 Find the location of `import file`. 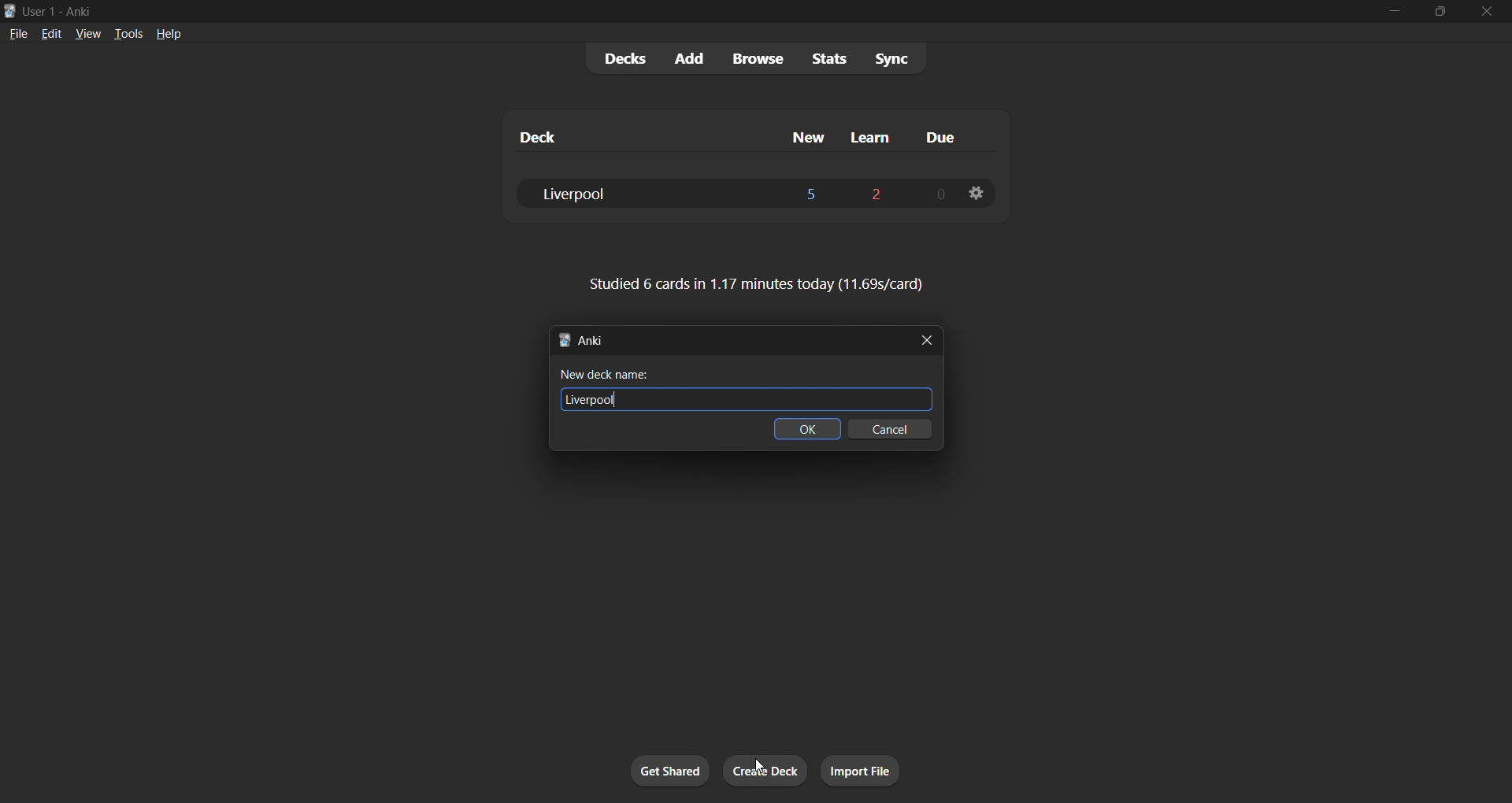

import file is located at coordinates (860, 772).